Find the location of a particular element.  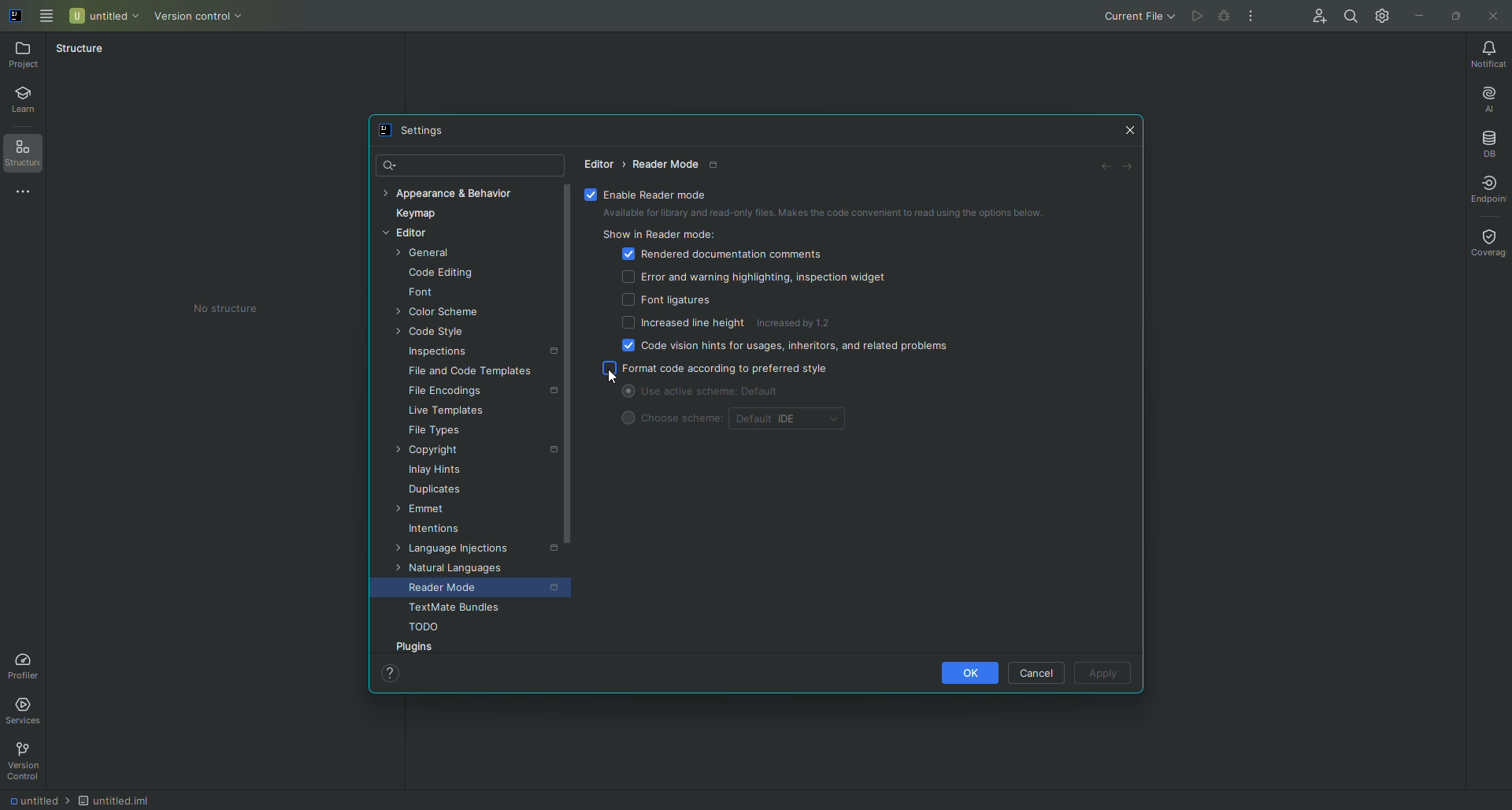

Code Editing is located at coordinates (435, 273).